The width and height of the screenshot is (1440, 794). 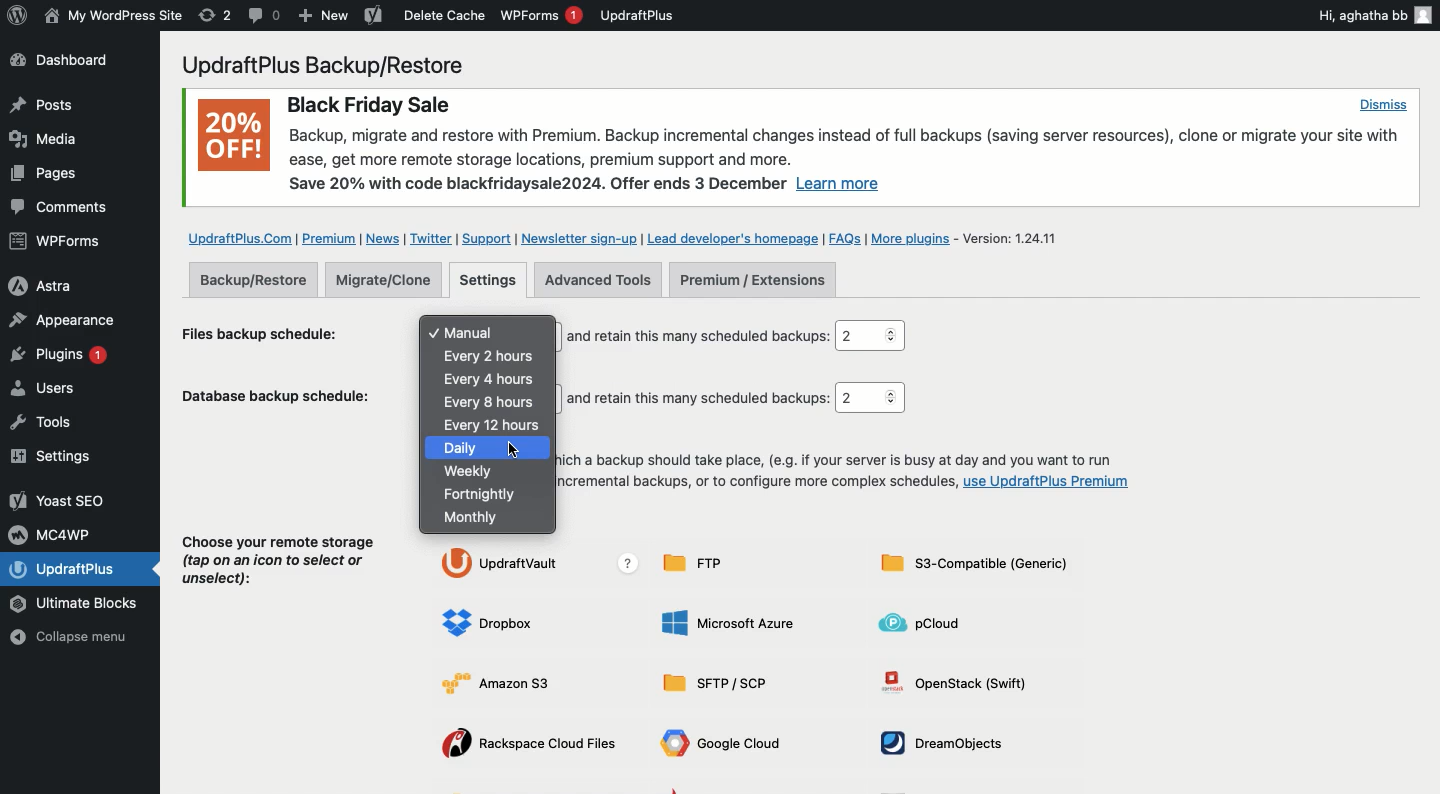 I want to click on UpdraftVault, so click(x=544, y=564).